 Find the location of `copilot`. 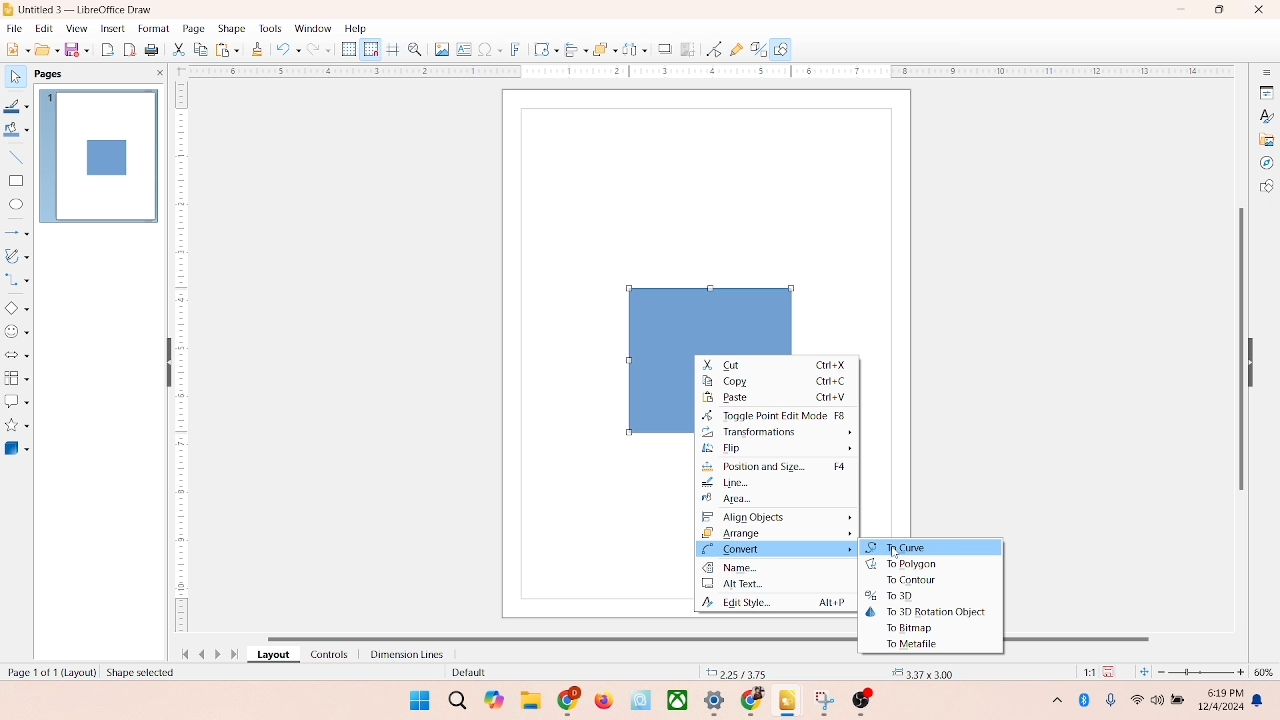

copilot is located at coordinates (496, 700).